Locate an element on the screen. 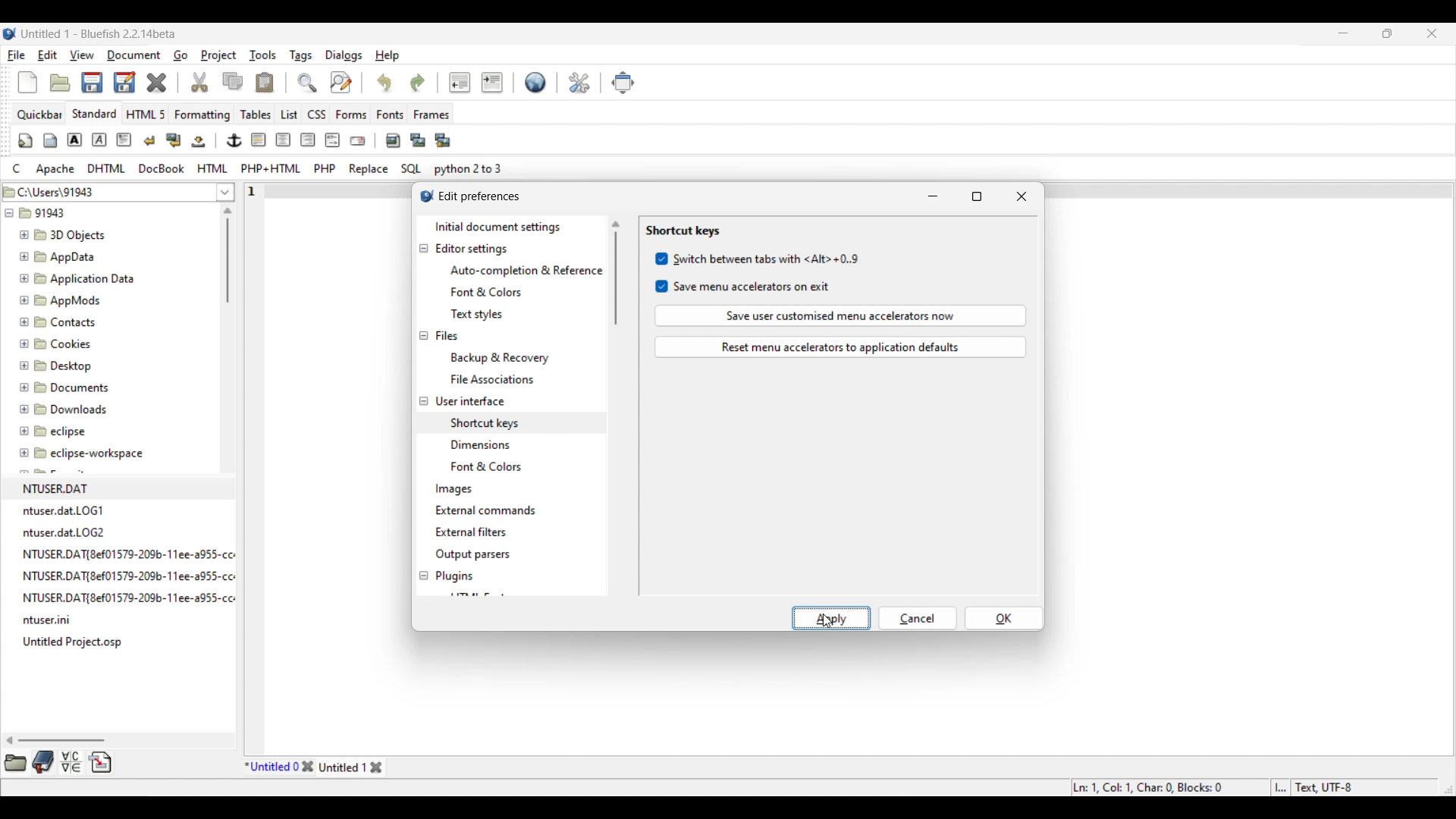 The width and height of the screenshot is (1456, 819). Window title is located at coordinates (480, 196).